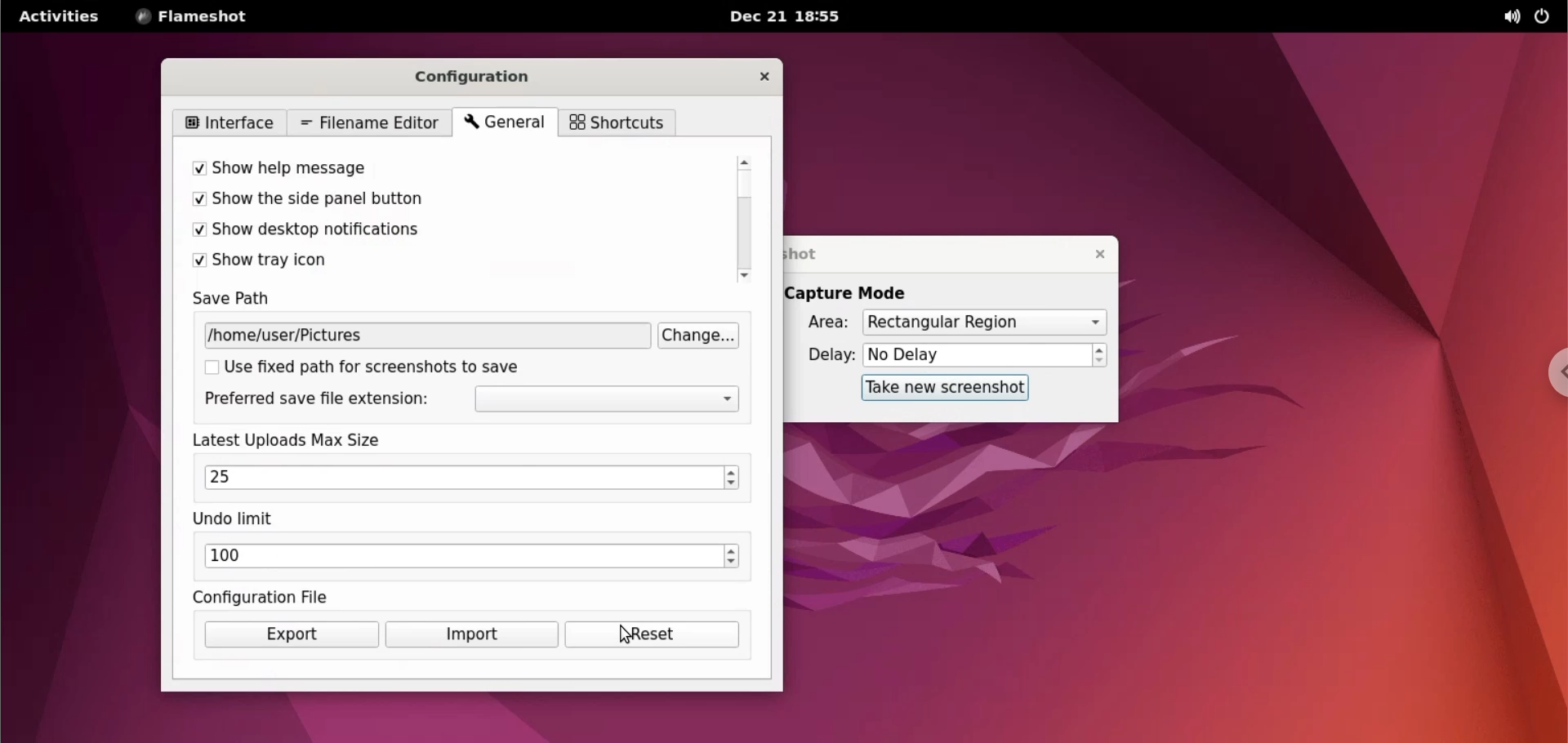 This screenshot has width=1568, height=743. What do you see at coordinates (612, 400) in the screenshot?
I see `extension options dropdown` at bounding box center [612, 400].